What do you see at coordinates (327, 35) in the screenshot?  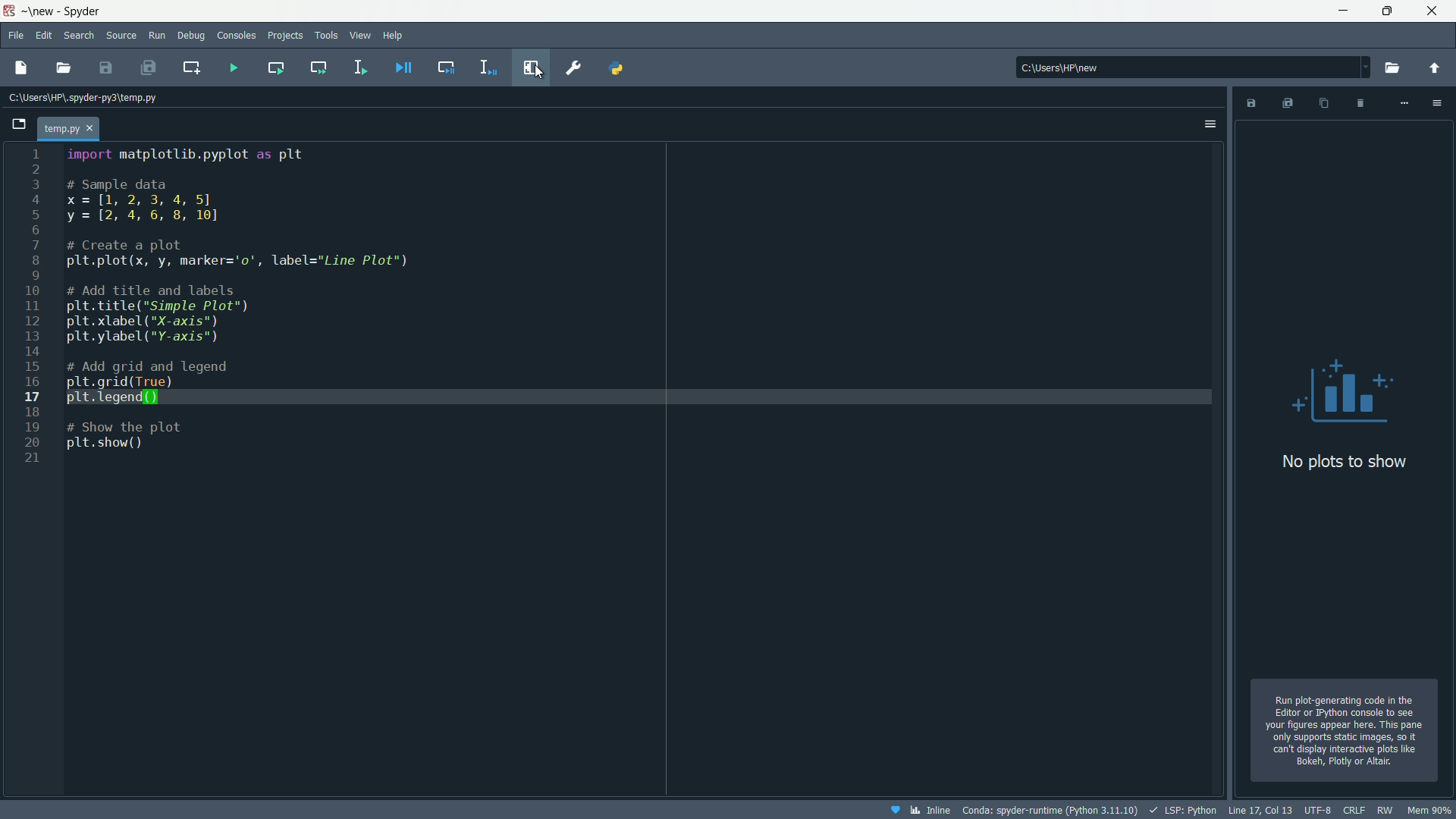 I see `tools` at bounding box center [327, 35].